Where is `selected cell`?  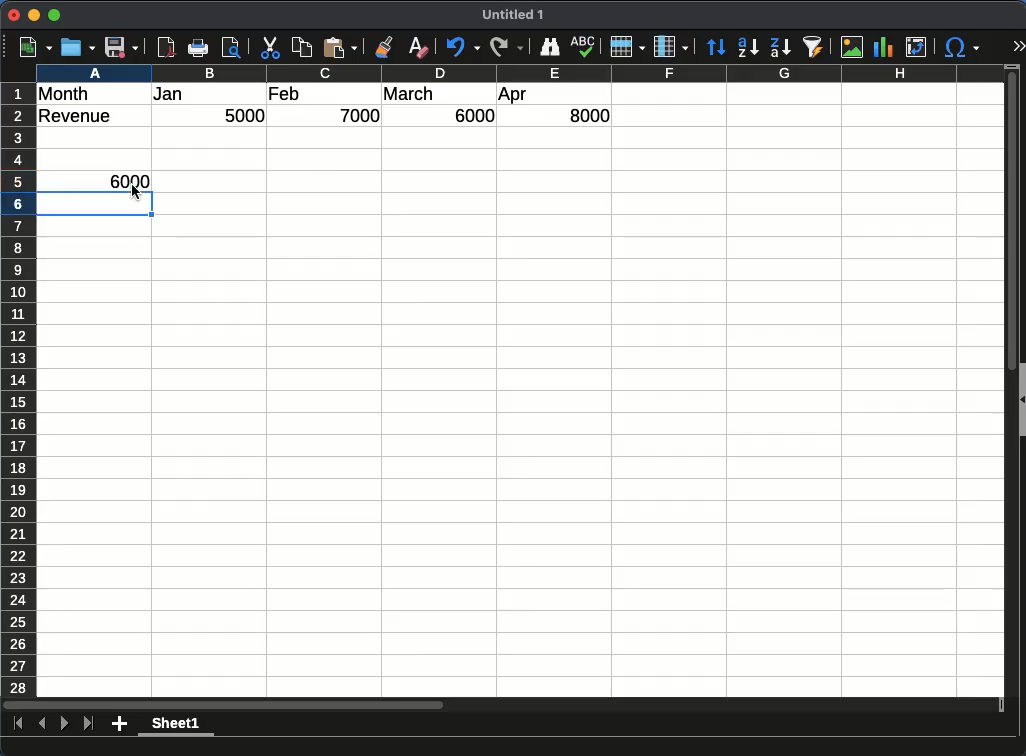 selected cell is located at coordinates (95, 203).